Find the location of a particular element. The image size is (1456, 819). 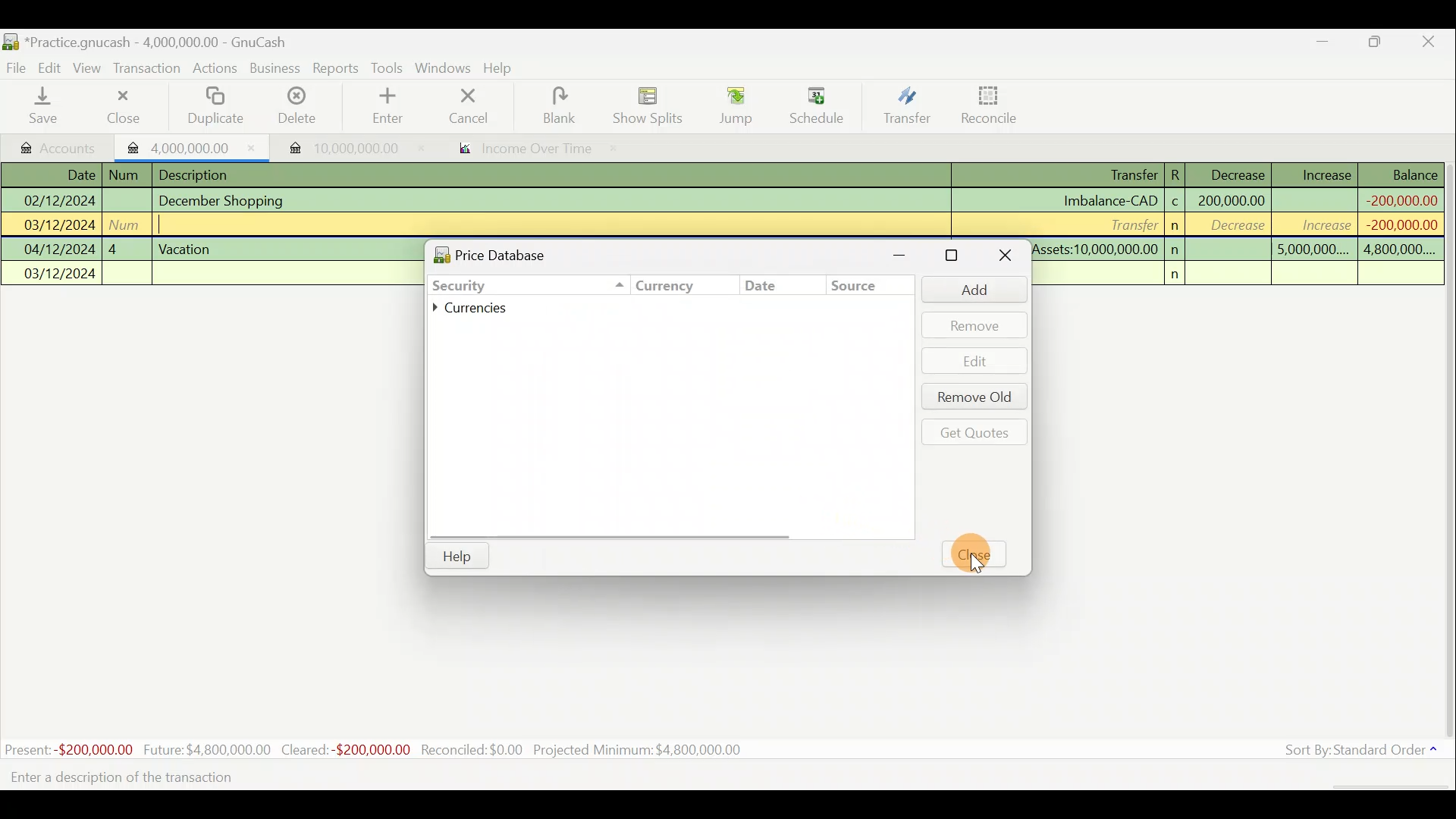

Minimise is located at coordinates (908, 255).